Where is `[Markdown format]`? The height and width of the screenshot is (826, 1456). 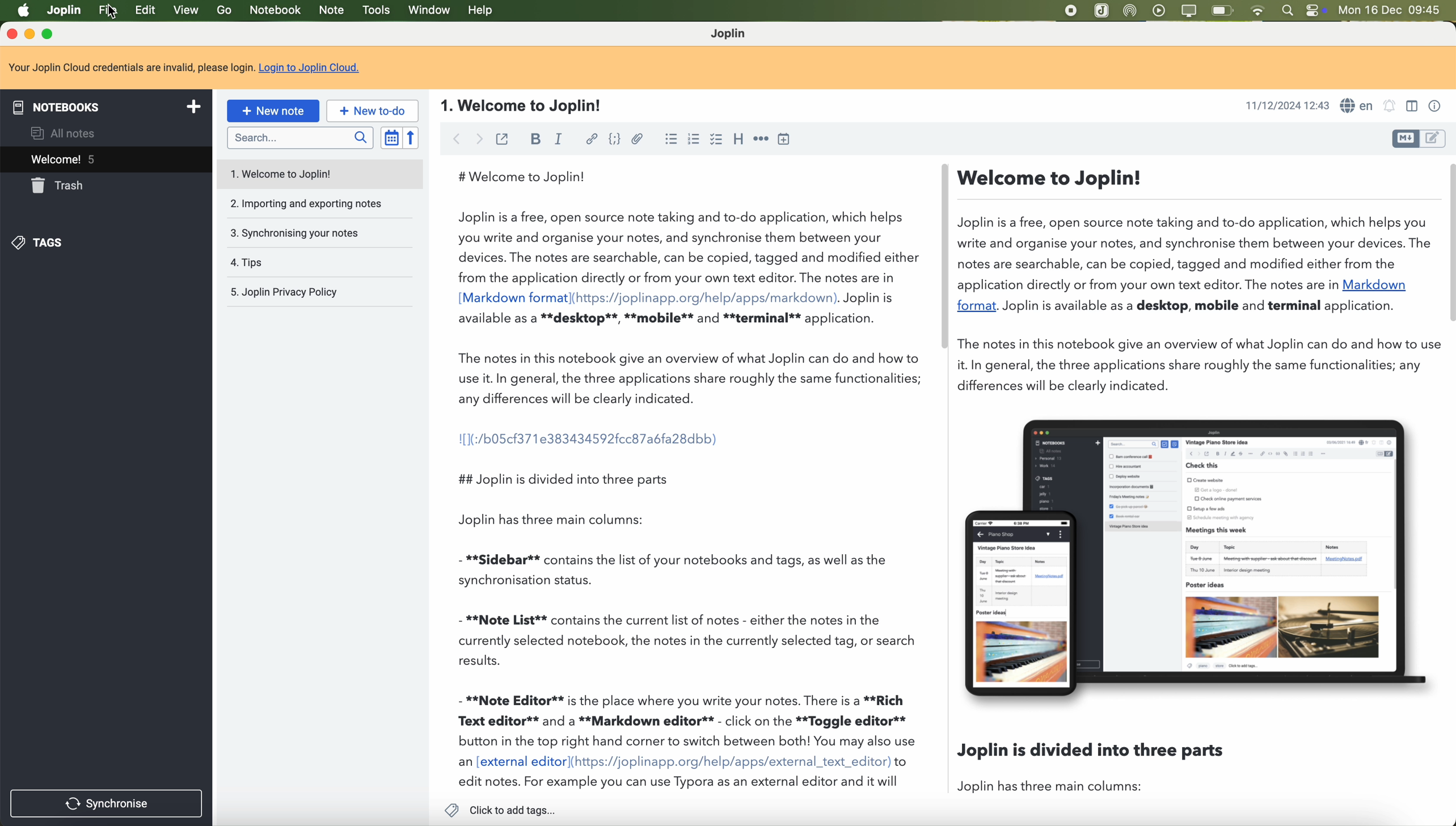
[Markdown format] is located at coordinates (513, 298).